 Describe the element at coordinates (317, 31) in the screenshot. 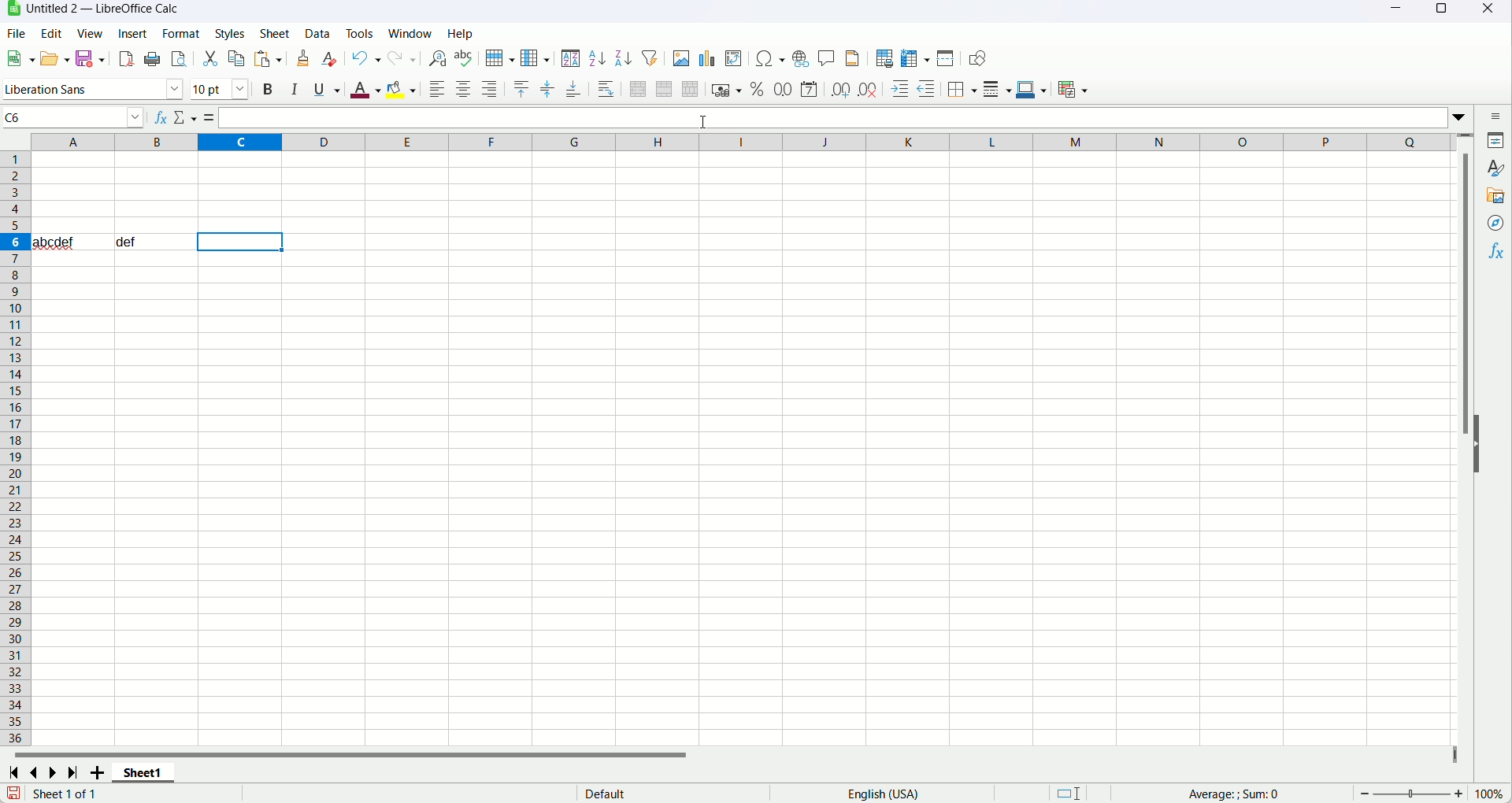

I see `data` at that location.